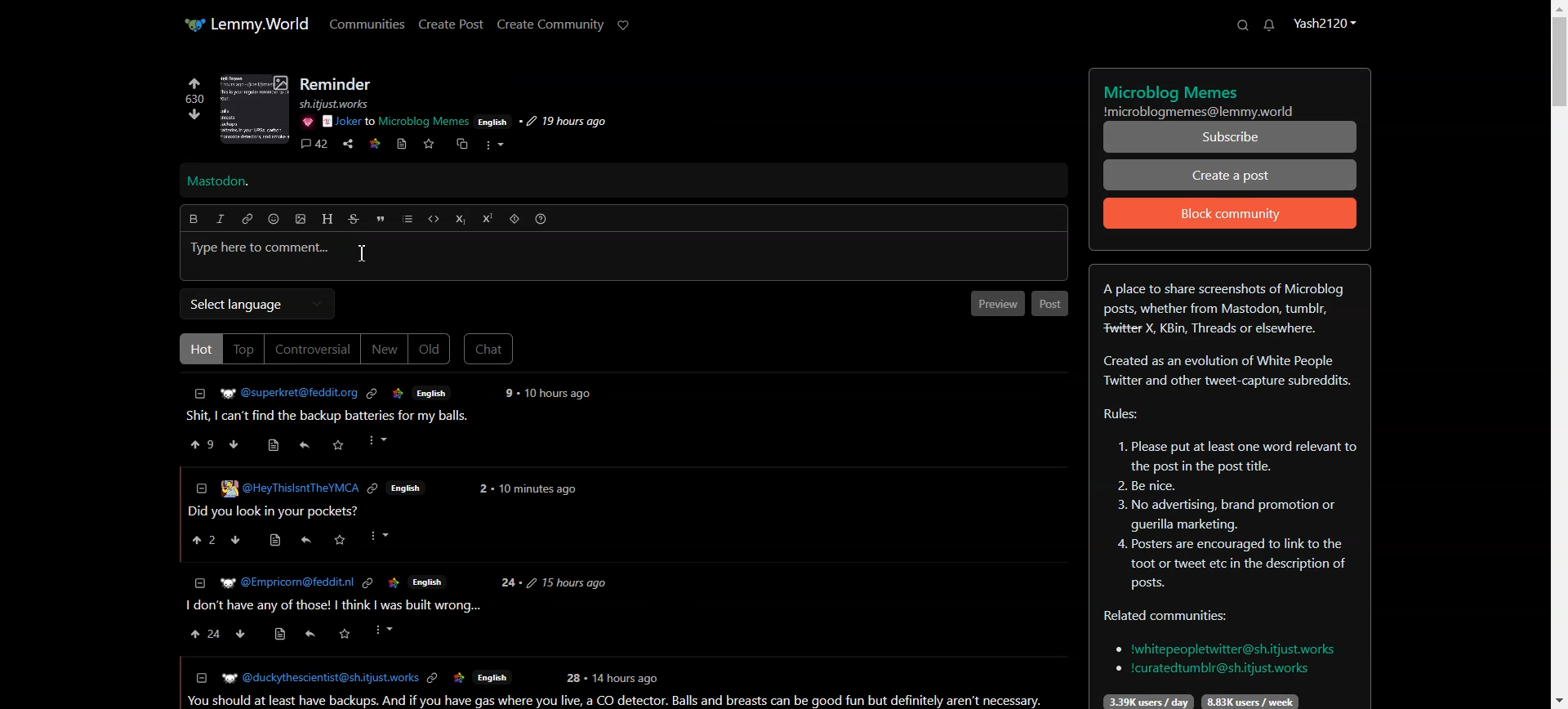 The width and height of the screenshot is (1568, 709). I want to click on , so click(340, 444).